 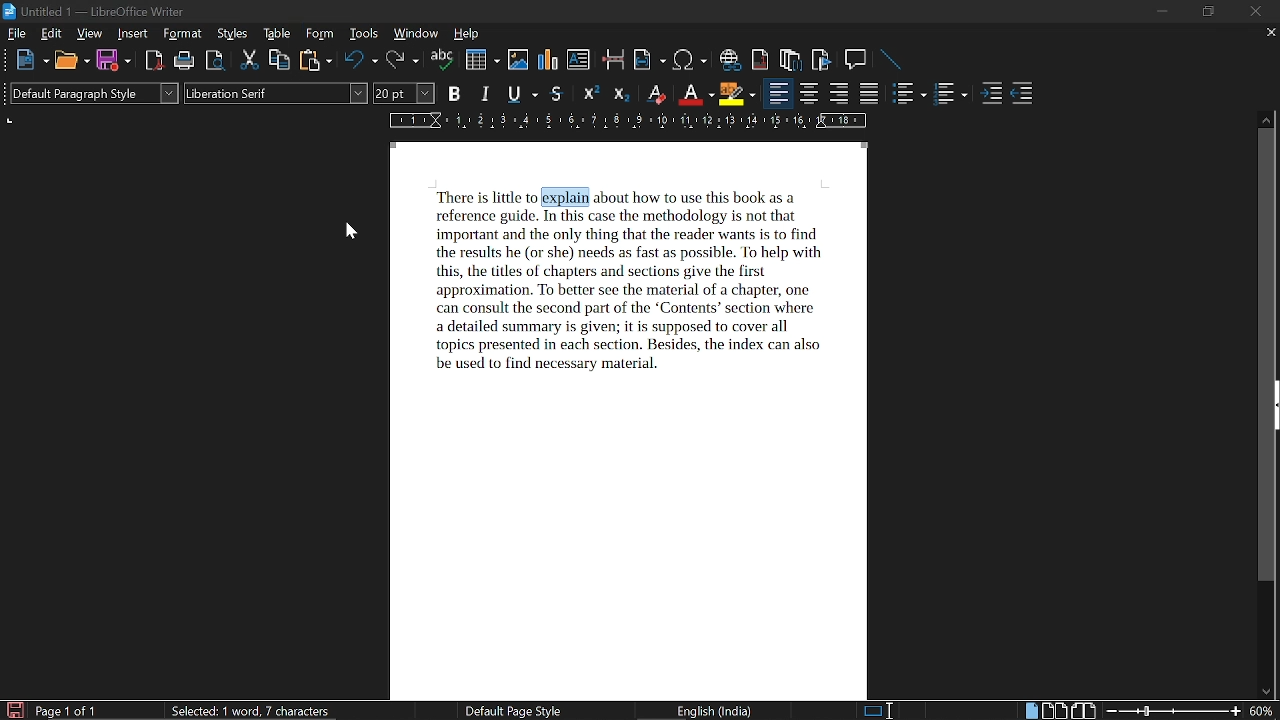 I want to click on justified, so click(x=871, y=95).